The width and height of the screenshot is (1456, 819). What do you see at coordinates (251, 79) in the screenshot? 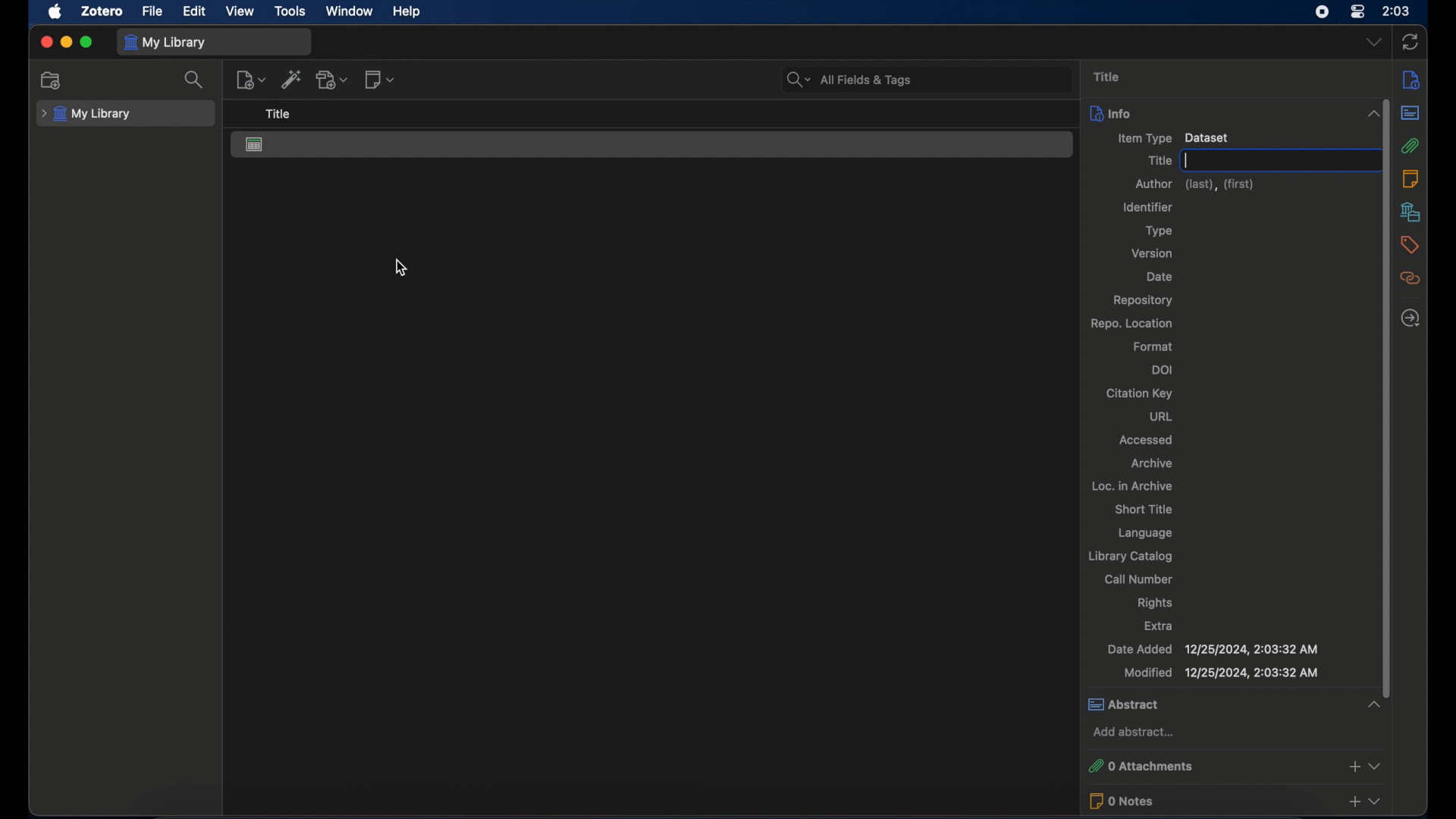
I see `new item` at bounding box center [251, 79].